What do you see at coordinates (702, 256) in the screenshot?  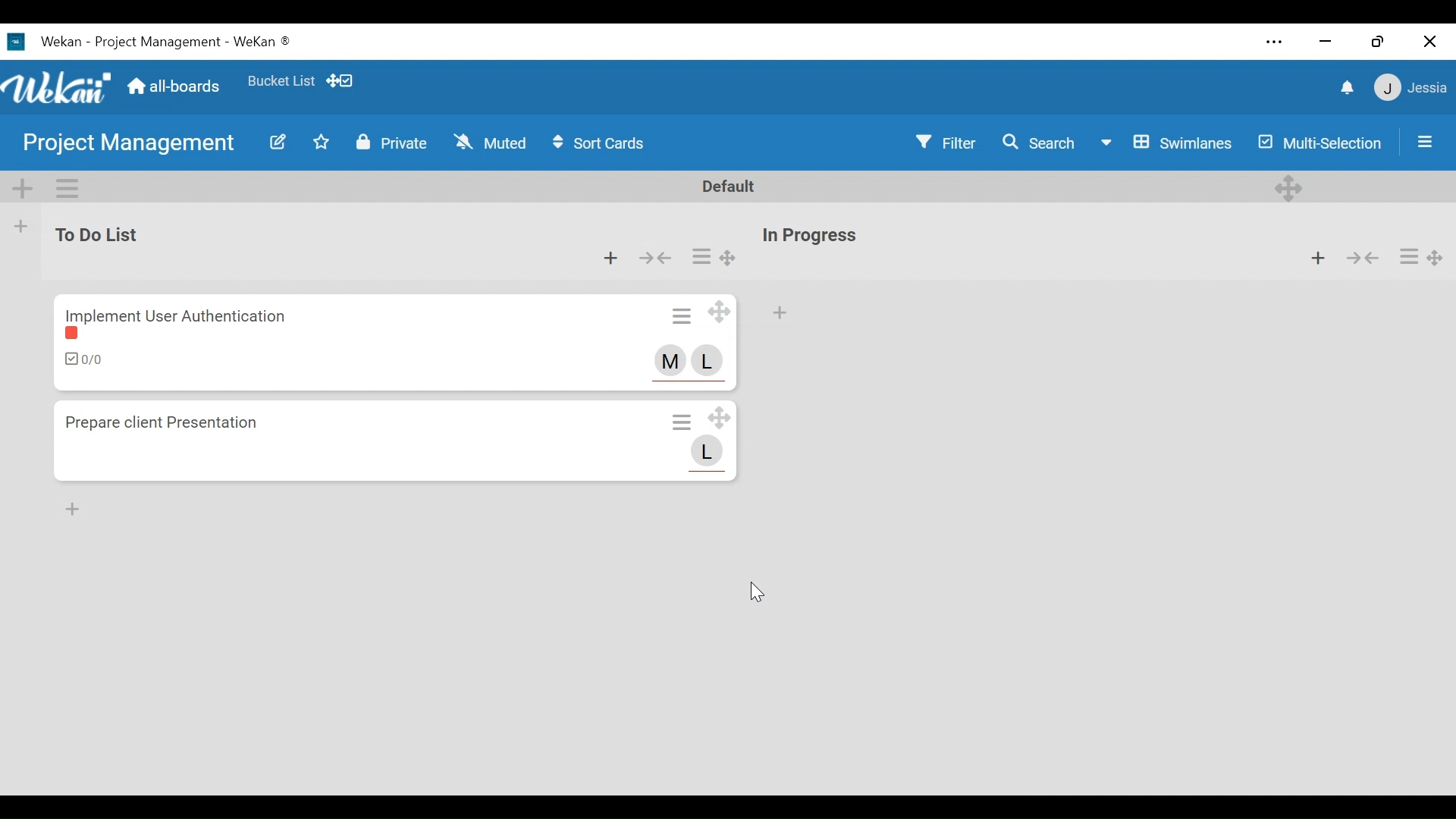 I see `card actions` at bounding box center [702, 256].